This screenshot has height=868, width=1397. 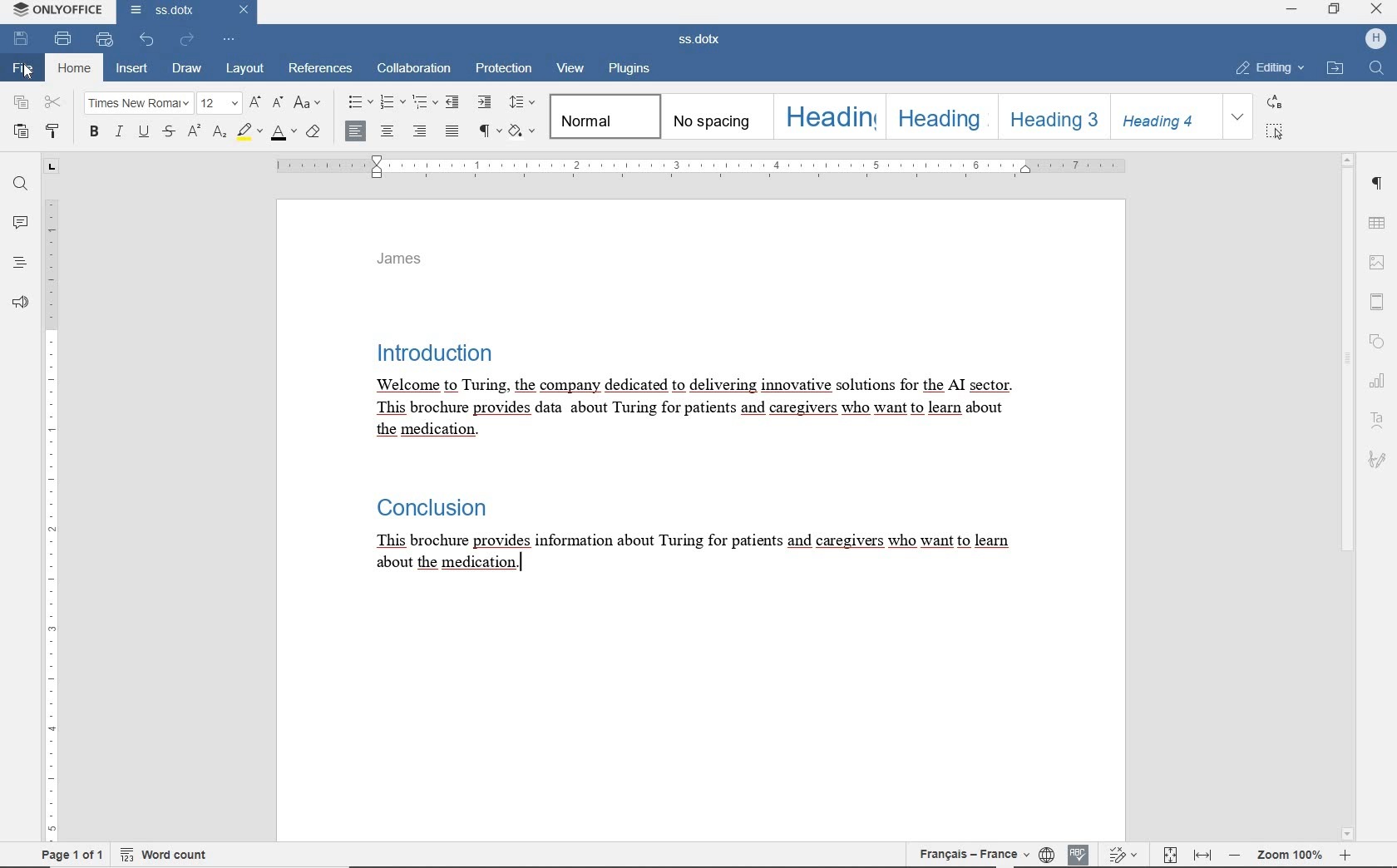 I want to click on REDO, so click(x=186, y=40).